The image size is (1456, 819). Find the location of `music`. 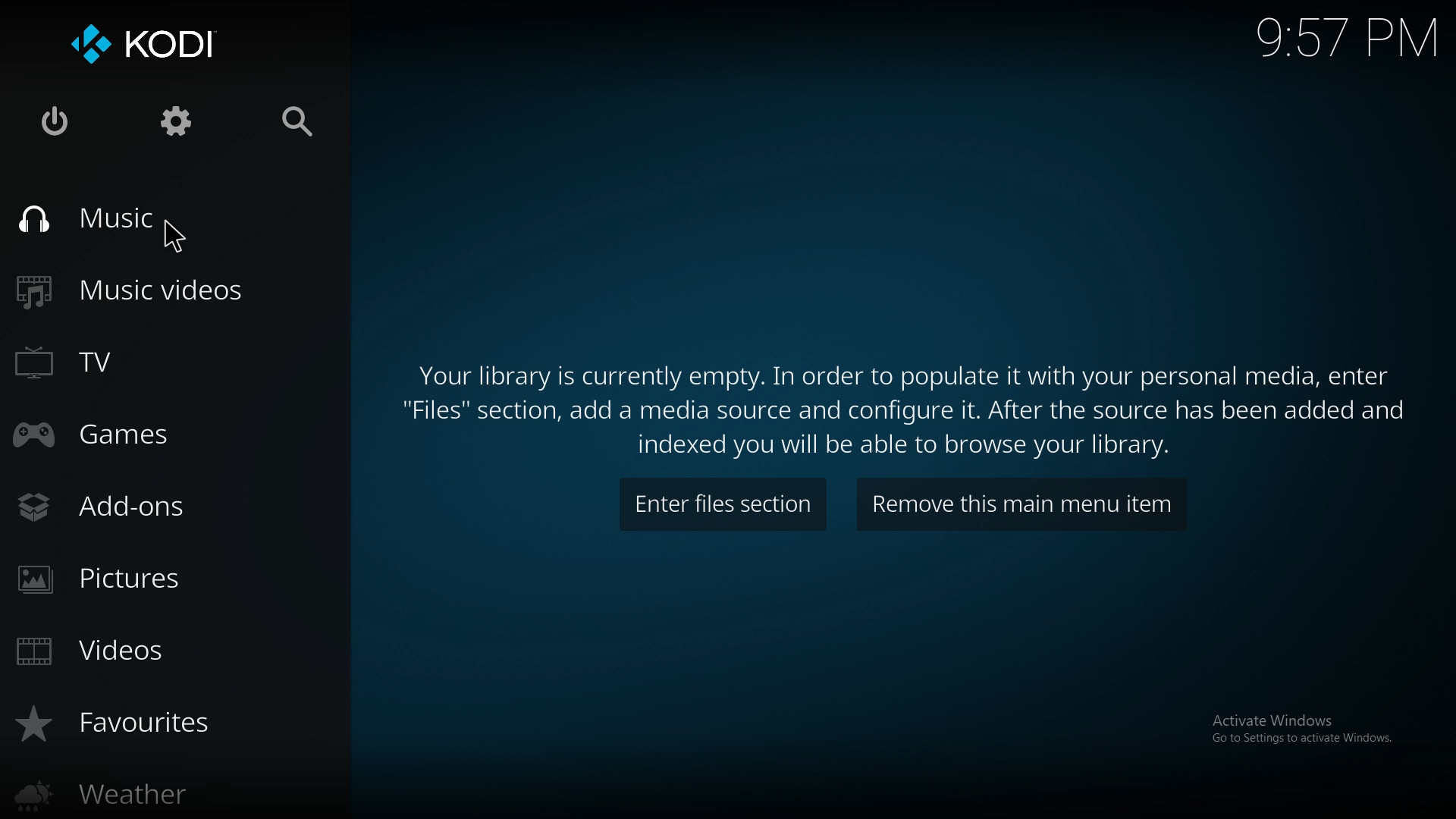

music is located at coordinates (142, 220).